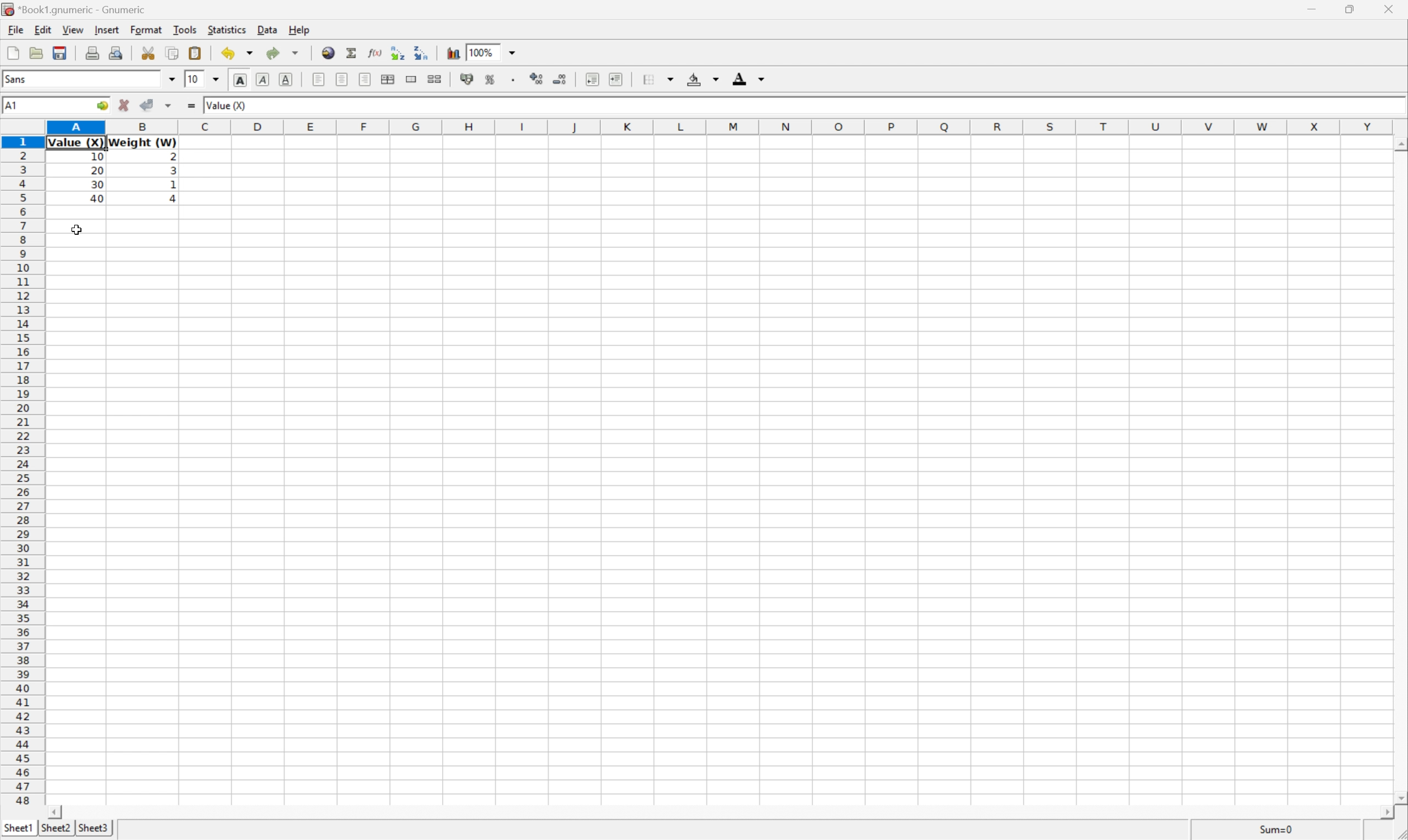 Image resolution: width=1408 pixels, height=840 pixels. What do you see at coordinates (172, 173) in the screenshot?
I see `3` at bounding box center [172, 173].